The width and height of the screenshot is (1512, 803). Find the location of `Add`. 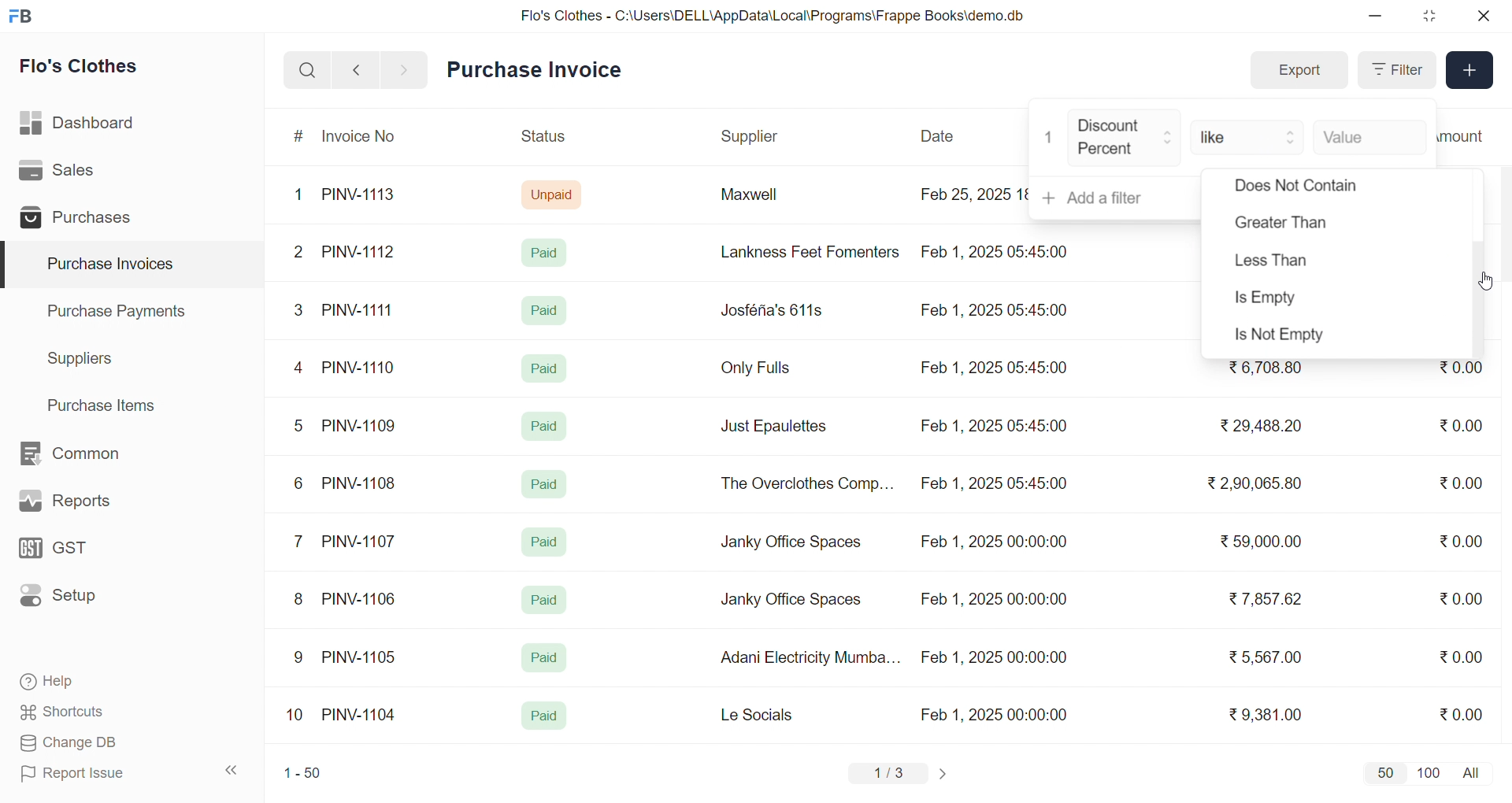

Add is located at coordinates (1470, 71).